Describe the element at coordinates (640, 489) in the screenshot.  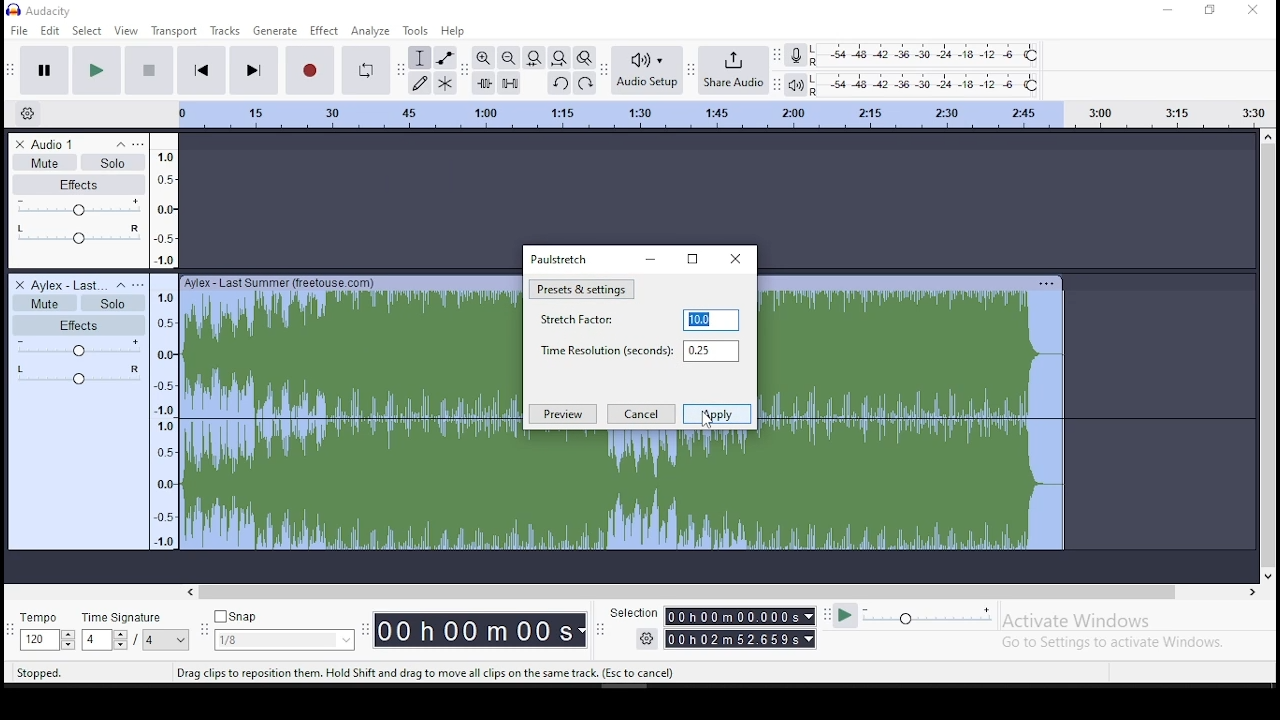
I see `audio track` at that location.